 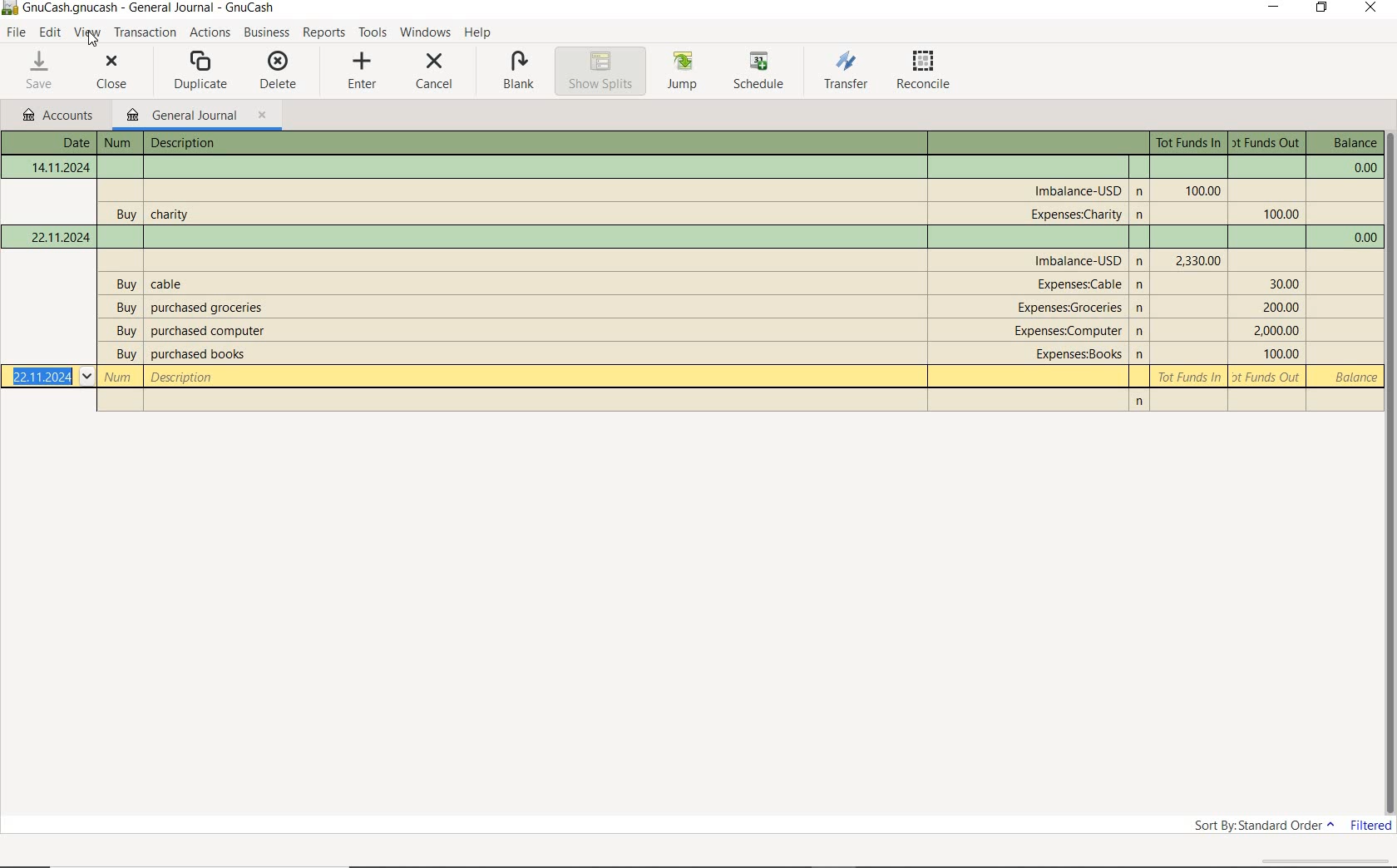 I want to click on n, so click(x=1141, y=190).